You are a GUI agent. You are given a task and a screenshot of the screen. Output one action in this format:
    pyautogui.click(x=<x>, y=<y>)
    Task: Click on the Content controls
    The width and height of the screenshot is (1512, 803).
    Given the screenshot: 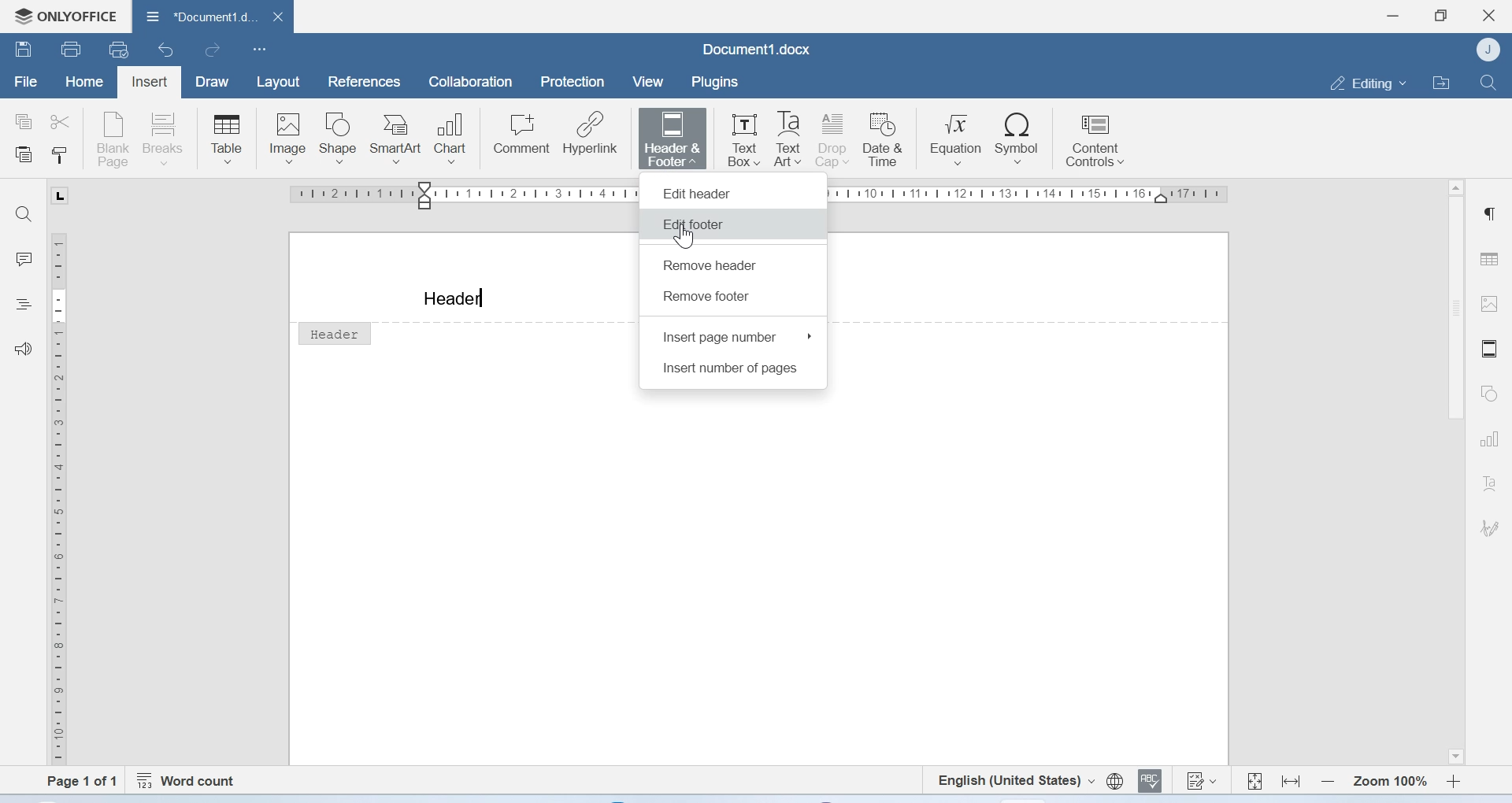 What is the action you would take?
    pyautogui.click(x=1094, y=142)
    